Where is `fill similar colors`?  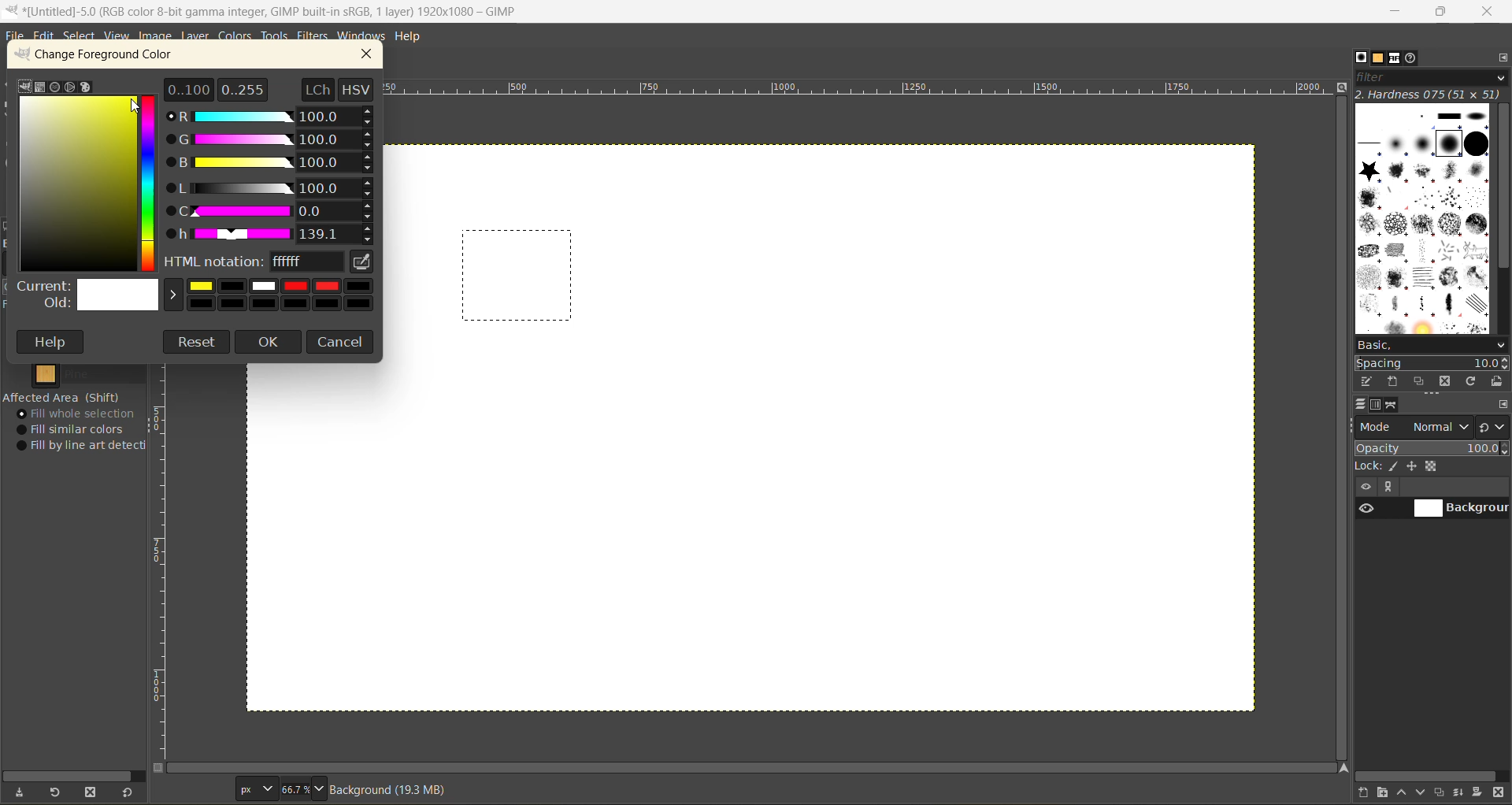 fill similar colors is located at coordinates (76, 429).